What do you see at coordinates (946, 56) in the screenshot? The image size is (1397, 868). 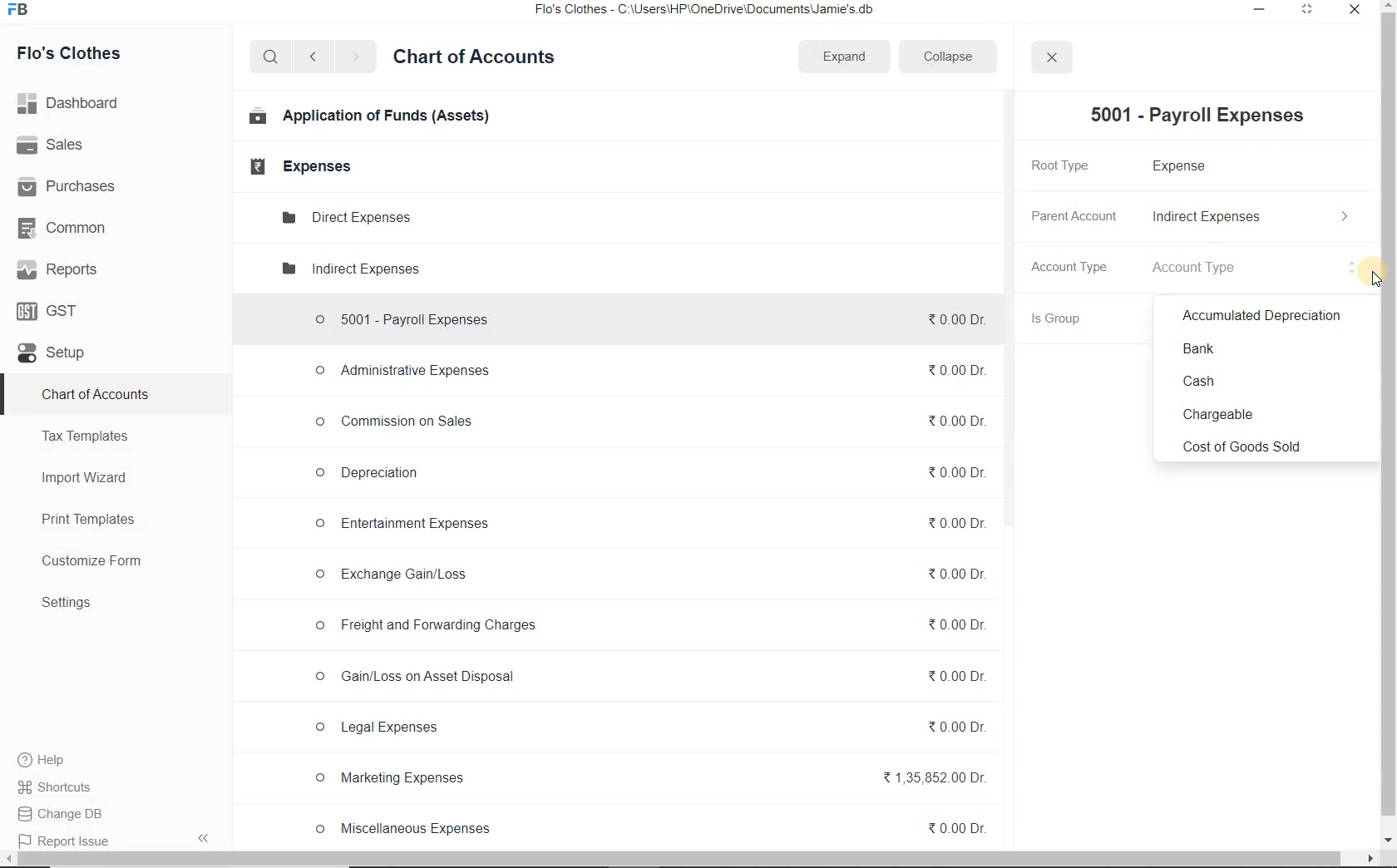 I see `Collapse` at bounding box center [946, 56].